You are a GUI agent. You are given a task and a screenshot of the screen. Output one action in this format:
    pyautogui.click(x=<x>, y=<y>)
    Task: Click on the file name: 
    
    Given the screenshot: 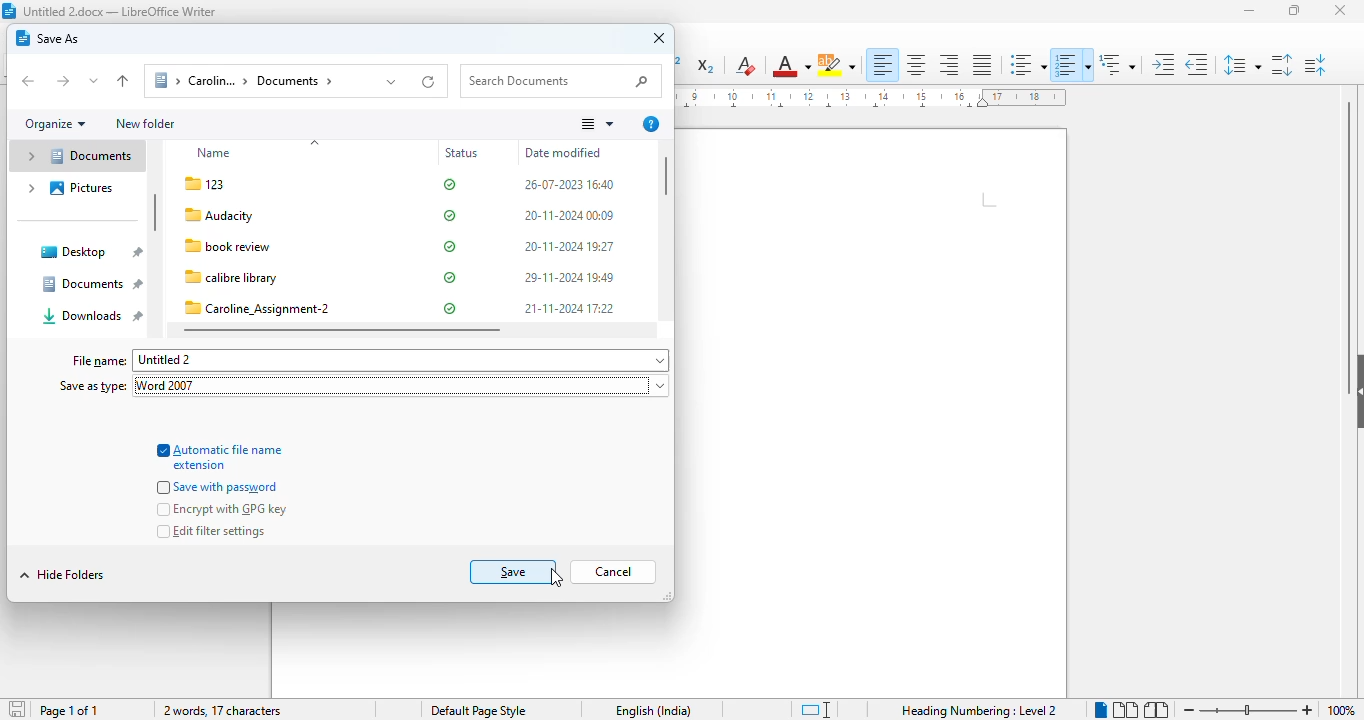 What is the action you would take?
    pyautogui.click(x=99, y=361)
    